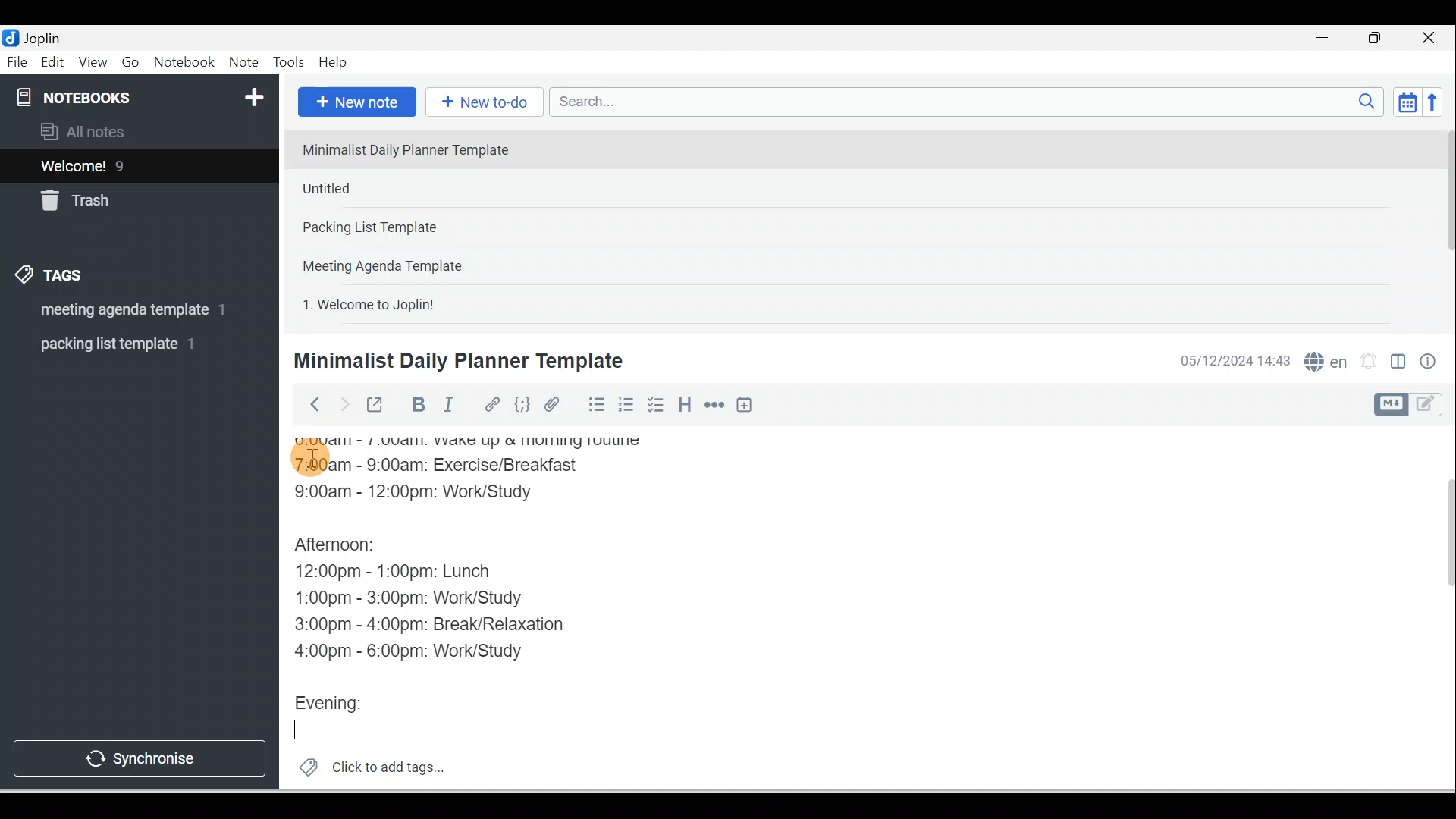 This screenshot has height=819, width=1456. Describe the element at coordinates (522, 406) in the screenshot. I see `Code` at that location.